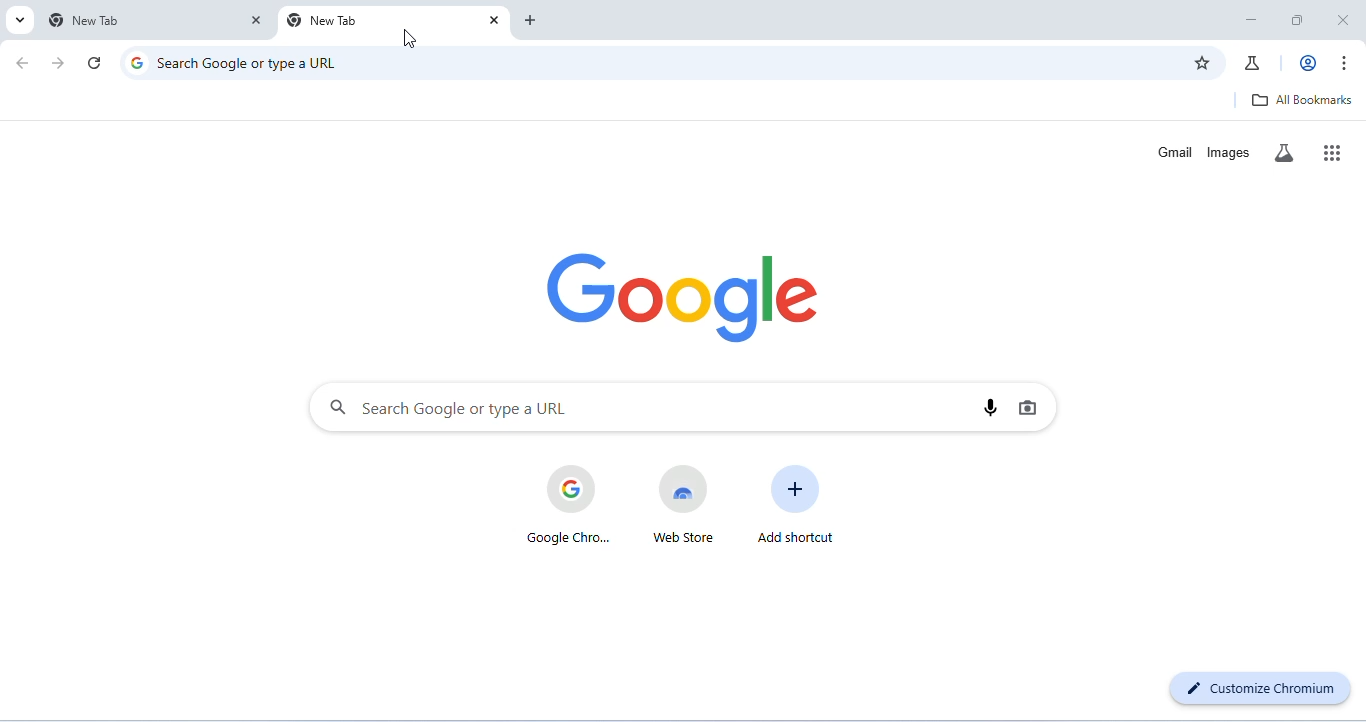 The image size is (1366, 722). I want to click on minimize, so click(1252, 20).